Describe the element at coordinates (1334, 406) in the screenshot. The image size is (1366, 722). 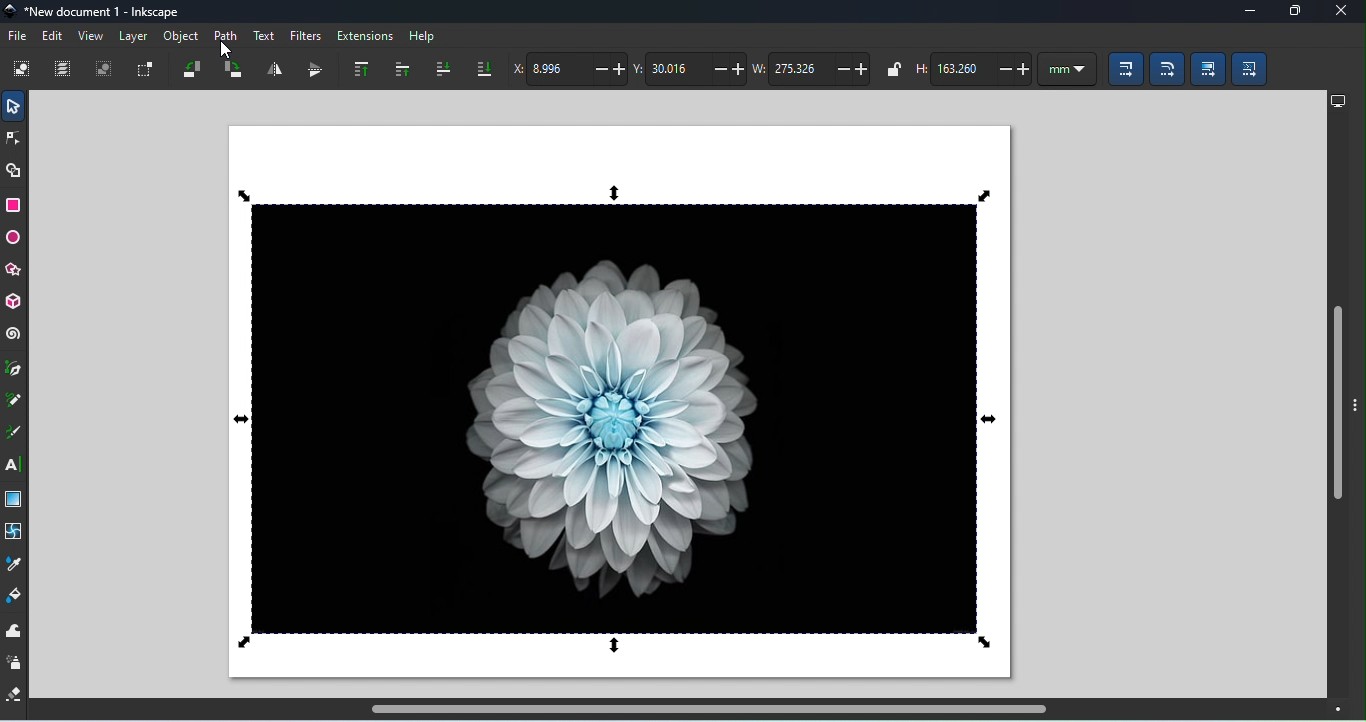
I see `Vertical scroll bar` at that location.